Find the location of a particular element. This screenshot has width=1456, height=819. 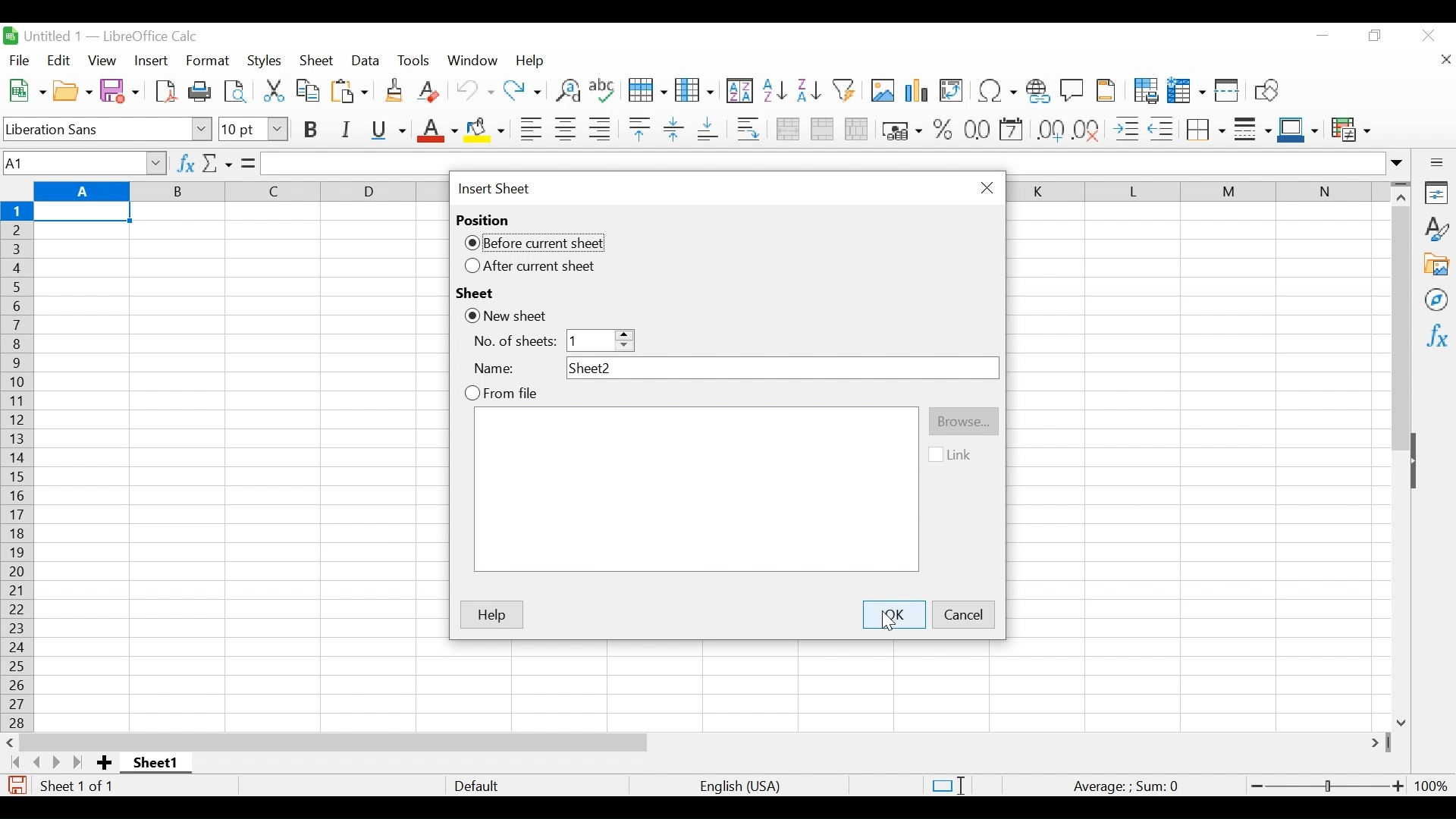

Add Sheet is located at coordinates (106, 762).